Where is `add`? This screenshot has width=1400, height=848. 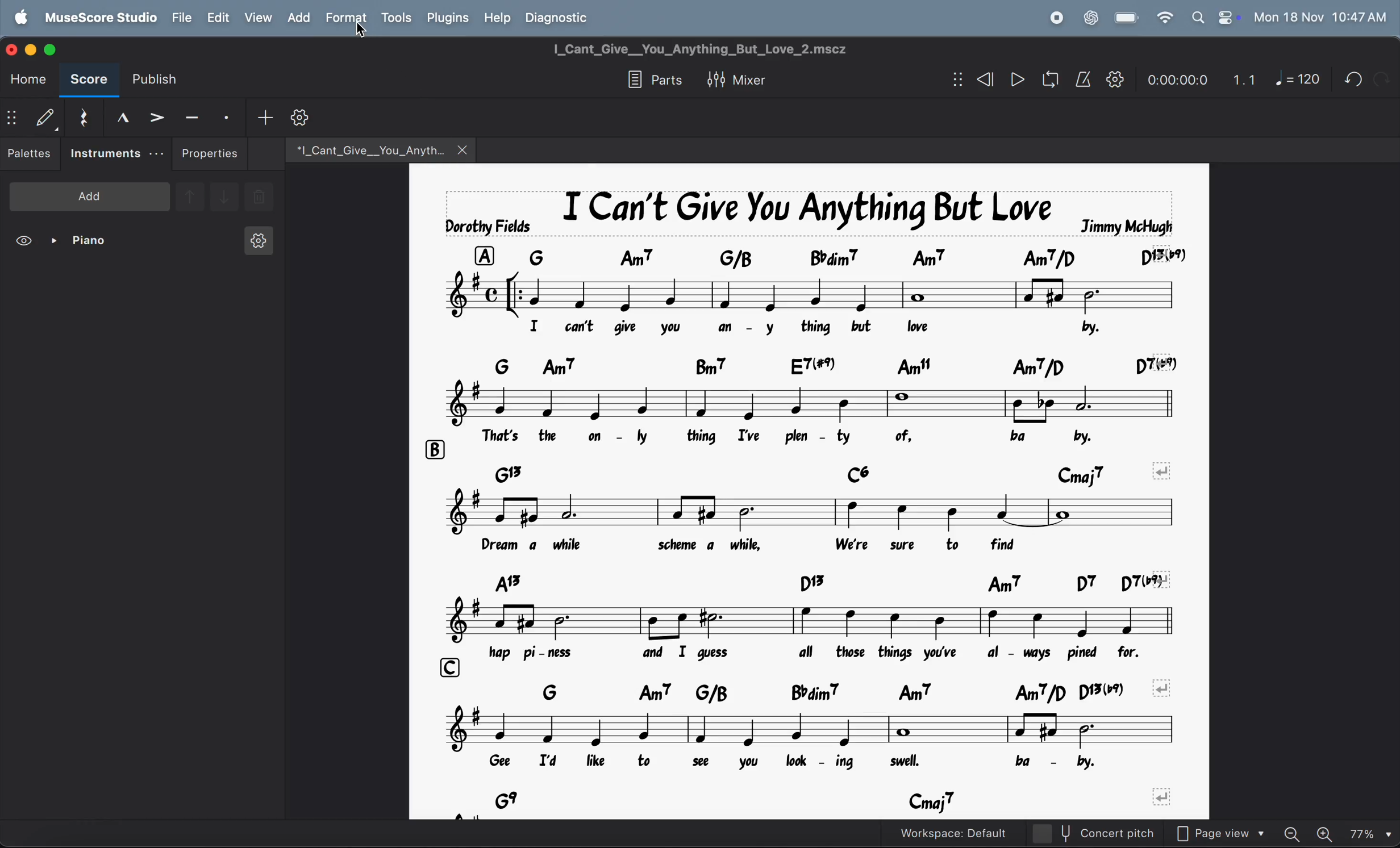
add is located at coordinates (265, 116).